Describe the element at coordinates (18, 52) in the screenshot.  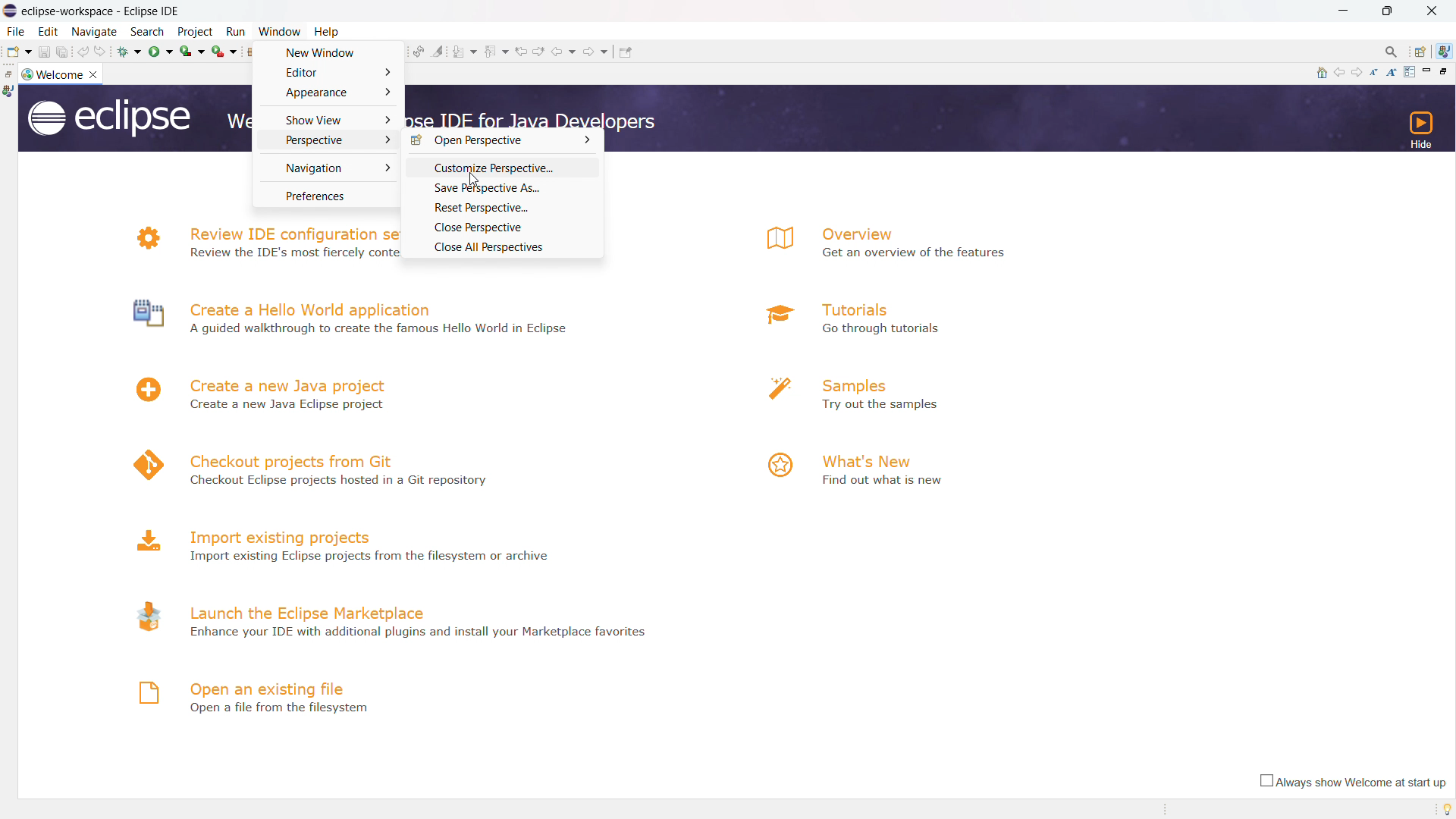
I see `new` at that location.